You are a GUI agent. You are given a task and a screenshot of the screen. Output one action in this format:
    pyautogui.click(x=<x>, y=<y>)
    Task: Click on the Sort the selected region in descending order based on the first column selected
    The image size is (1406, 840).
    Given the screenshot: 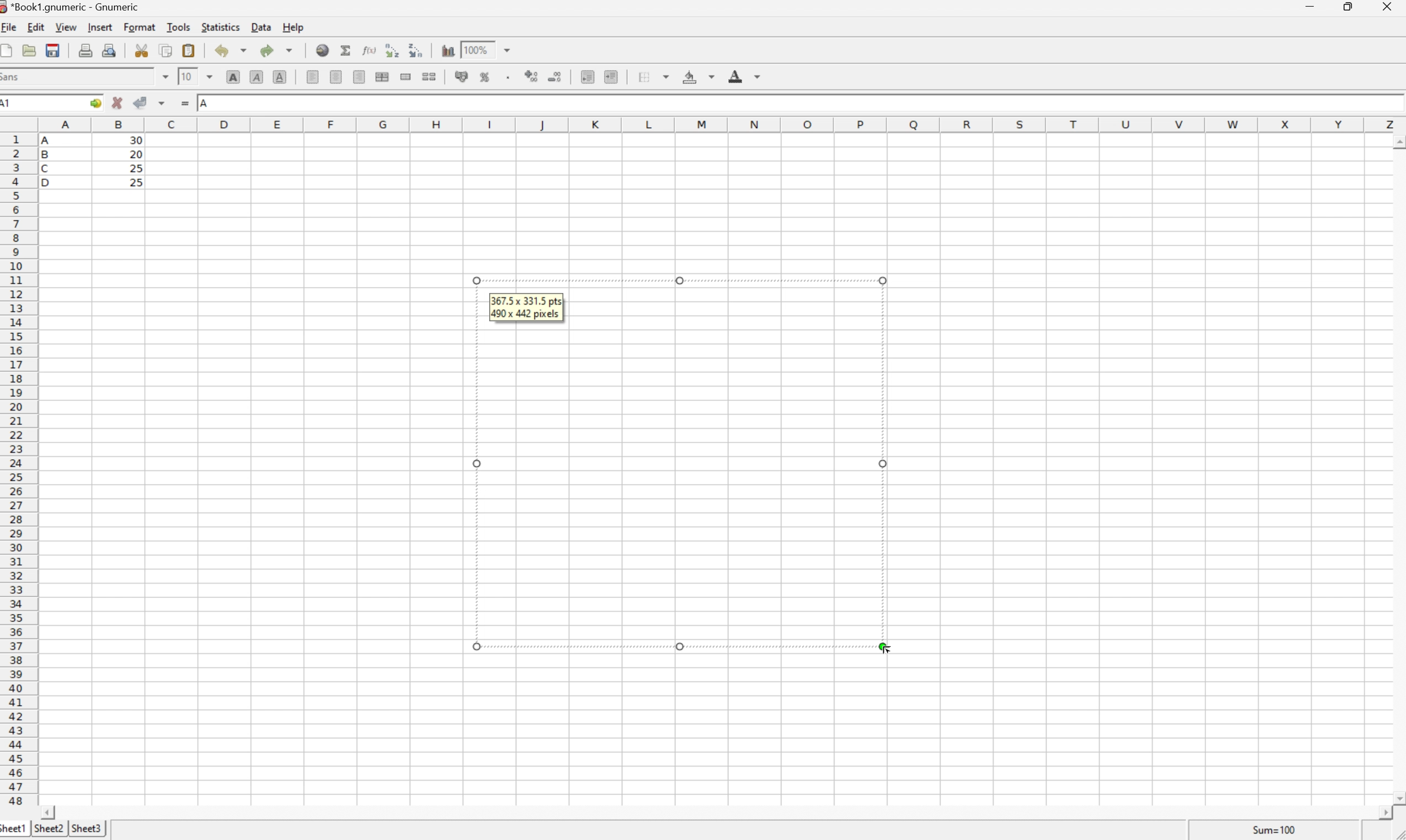 What is the action you would take?
    pyautogui.click(x=391, y=49)
    